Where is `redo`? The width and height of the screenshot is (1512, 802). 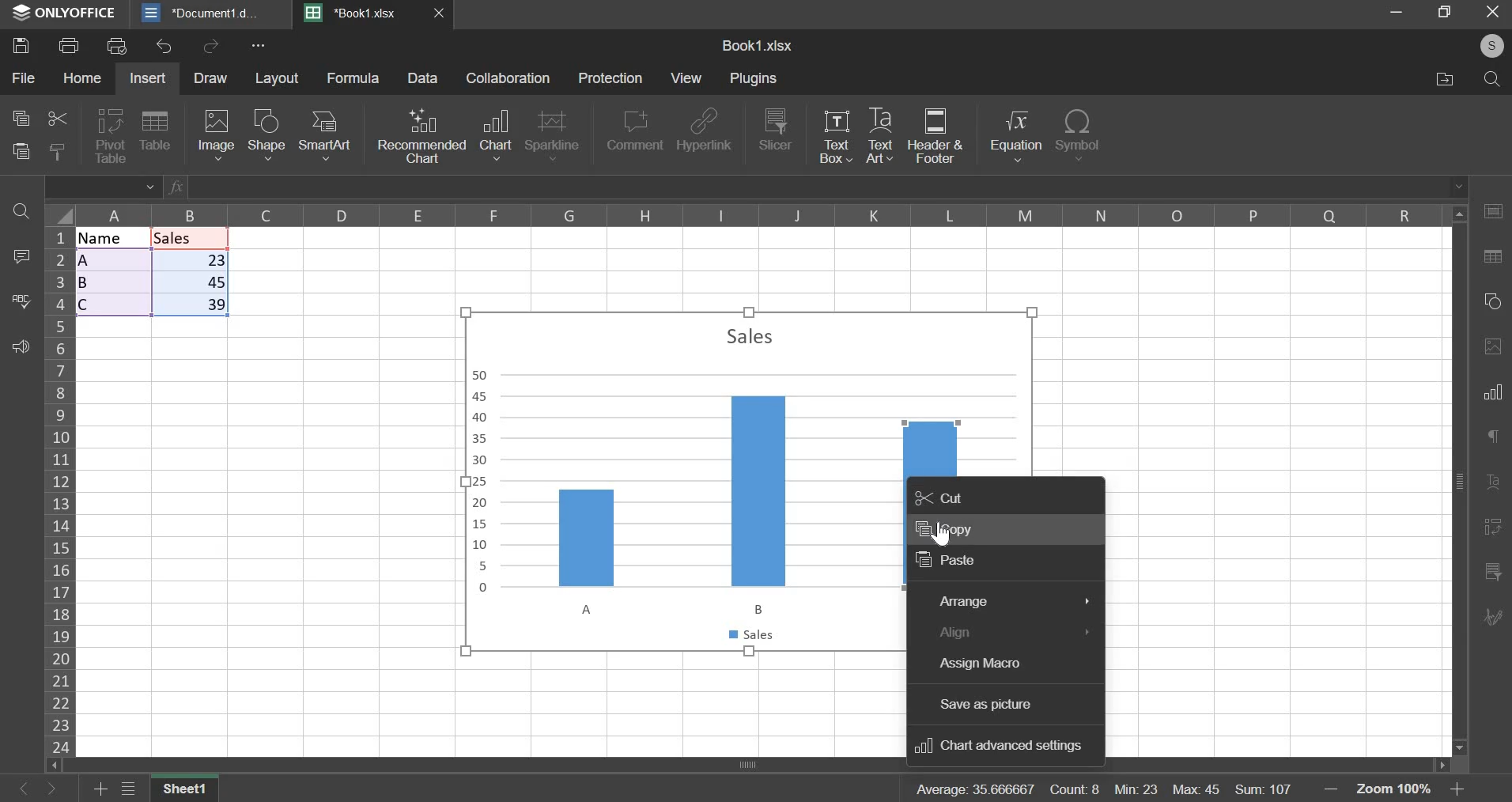 redo is located at coordinates (214, 45).